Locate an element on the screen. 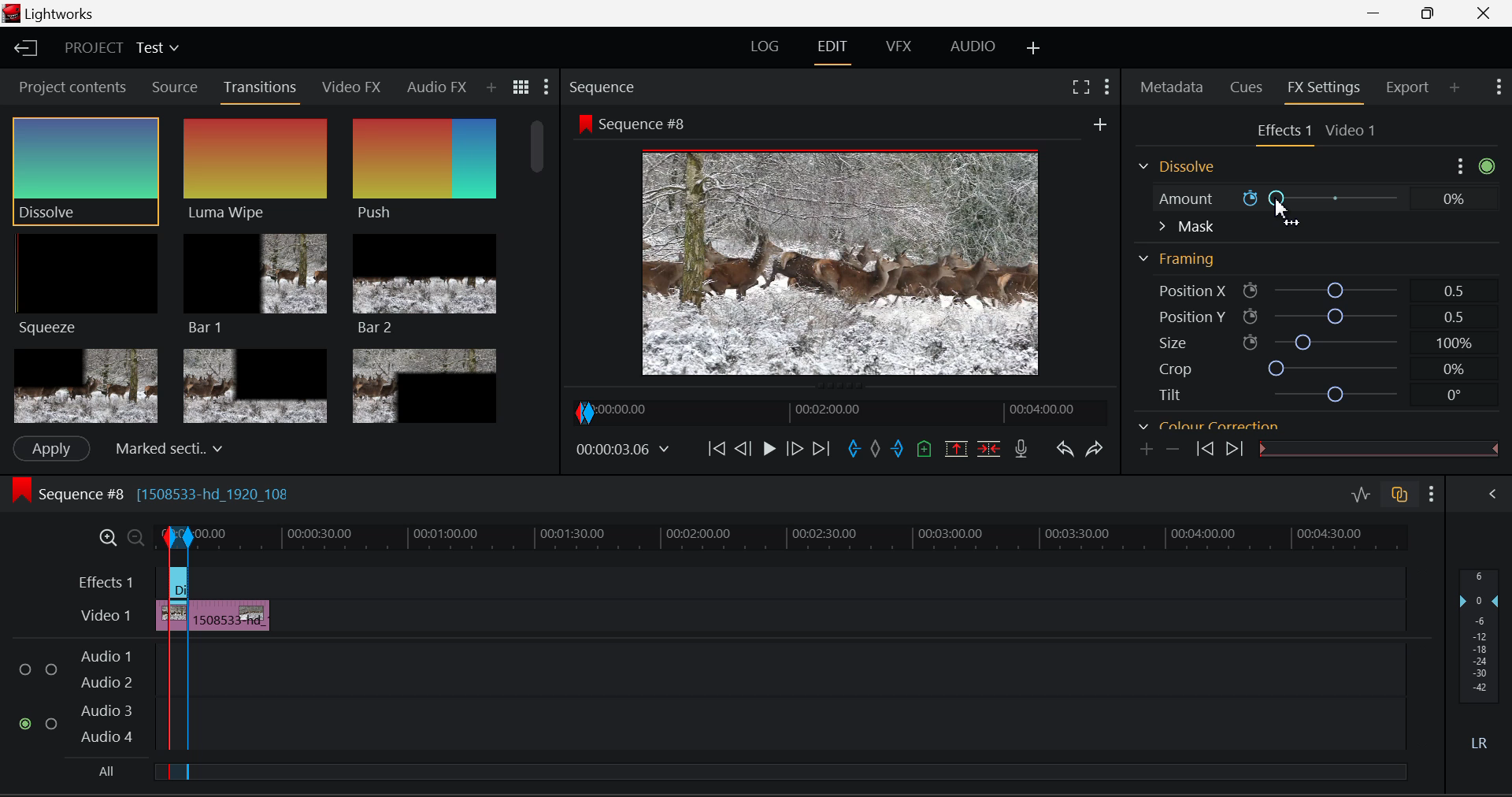 This screenshot has width=1512, height=797. Metadata is located at coordinates (1172, 88).